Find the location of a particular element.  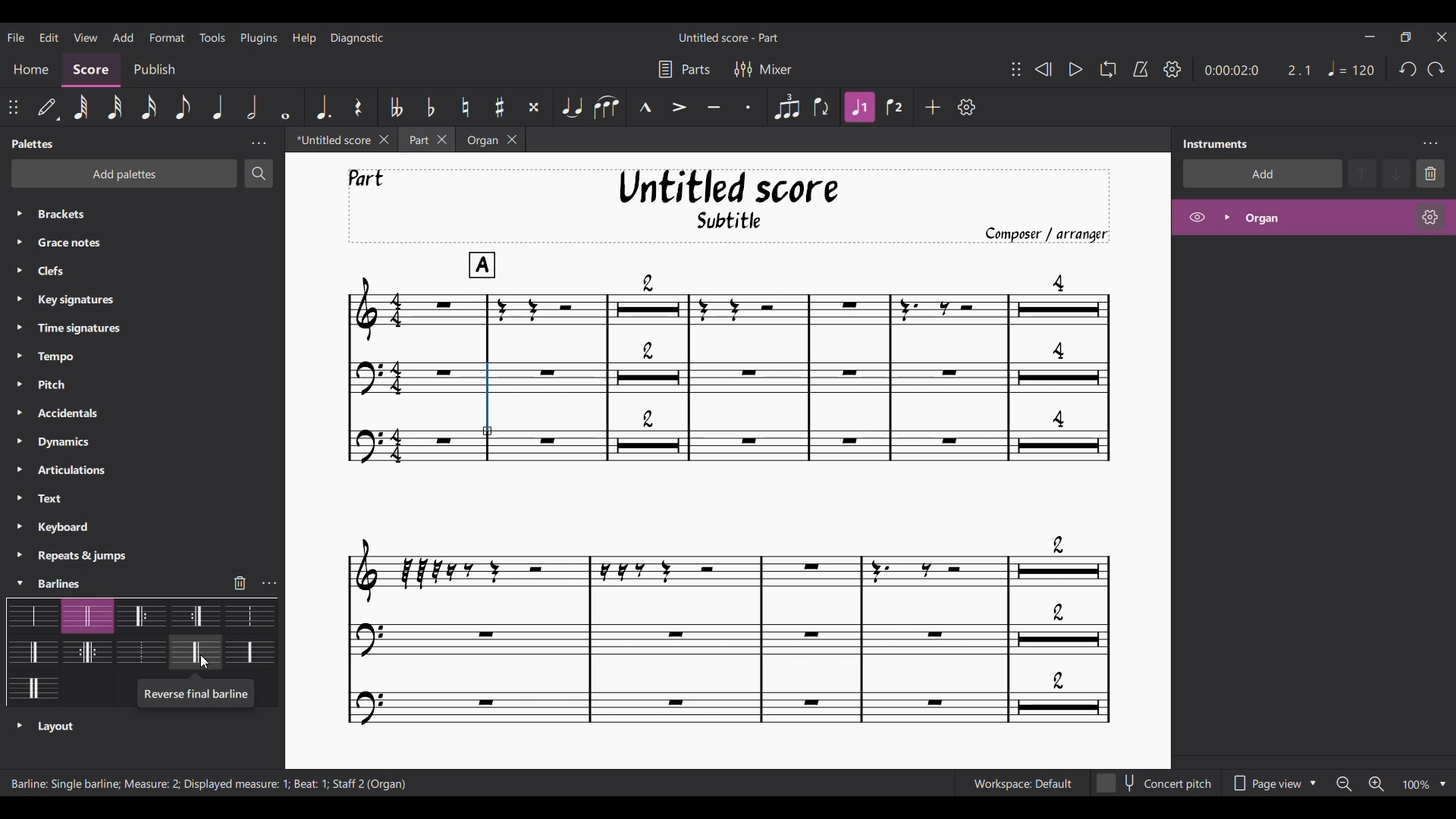

8th note is located at coordinates (181, 107).